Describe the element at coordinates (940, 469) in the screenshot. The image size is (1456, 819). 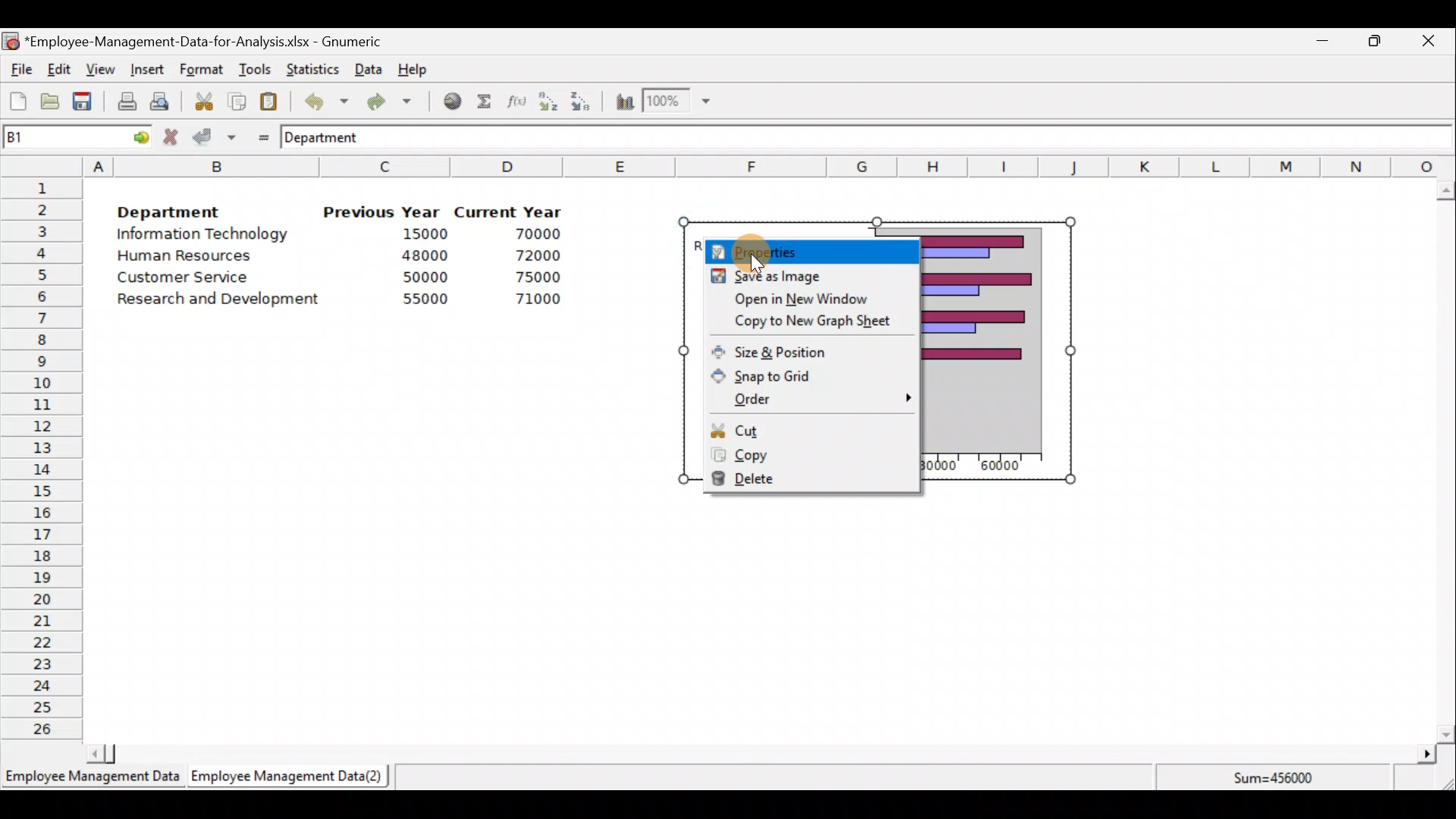
I see `30000` at that location.